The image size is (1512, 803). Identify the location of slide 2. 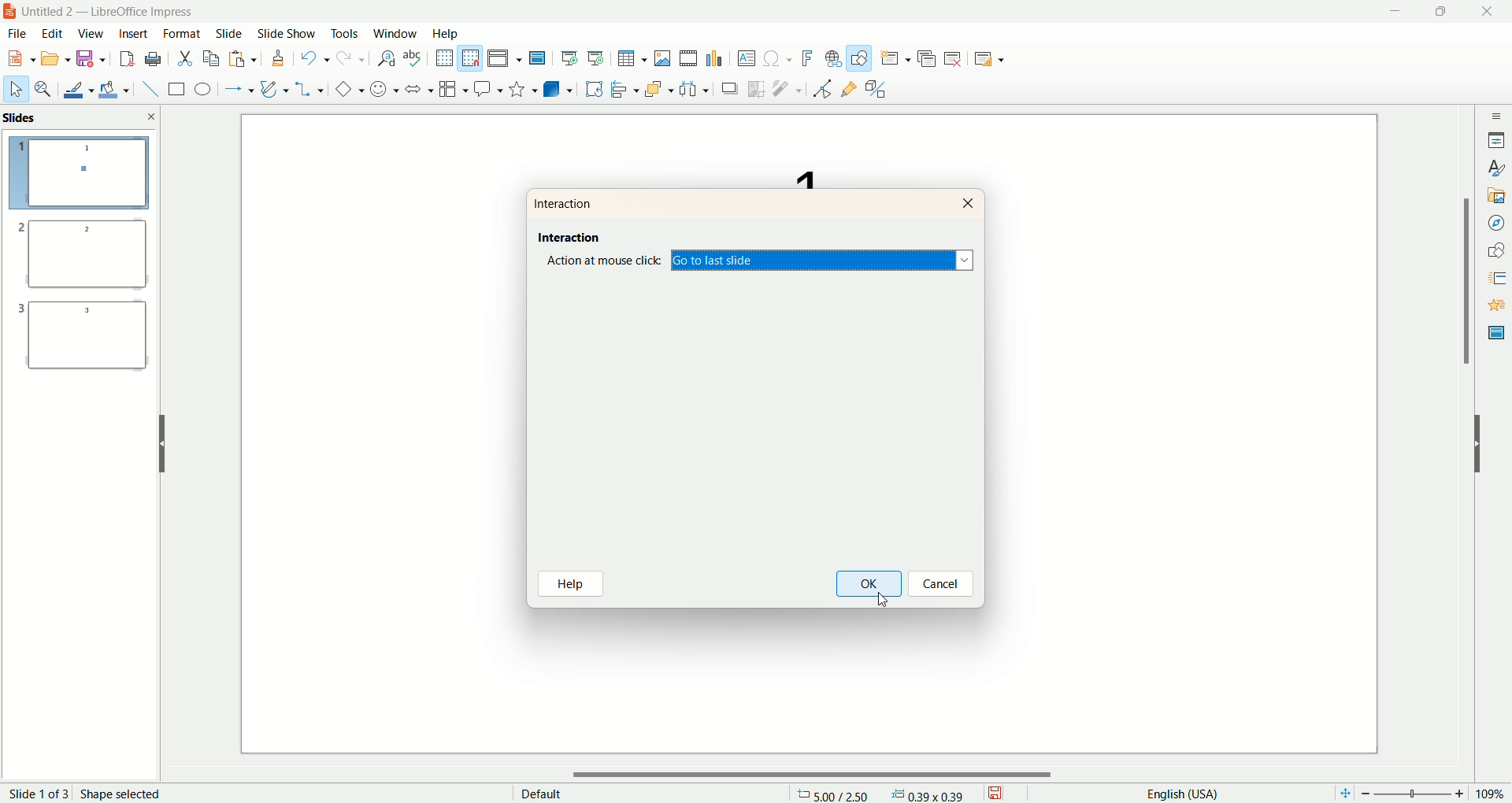
(79, 258).